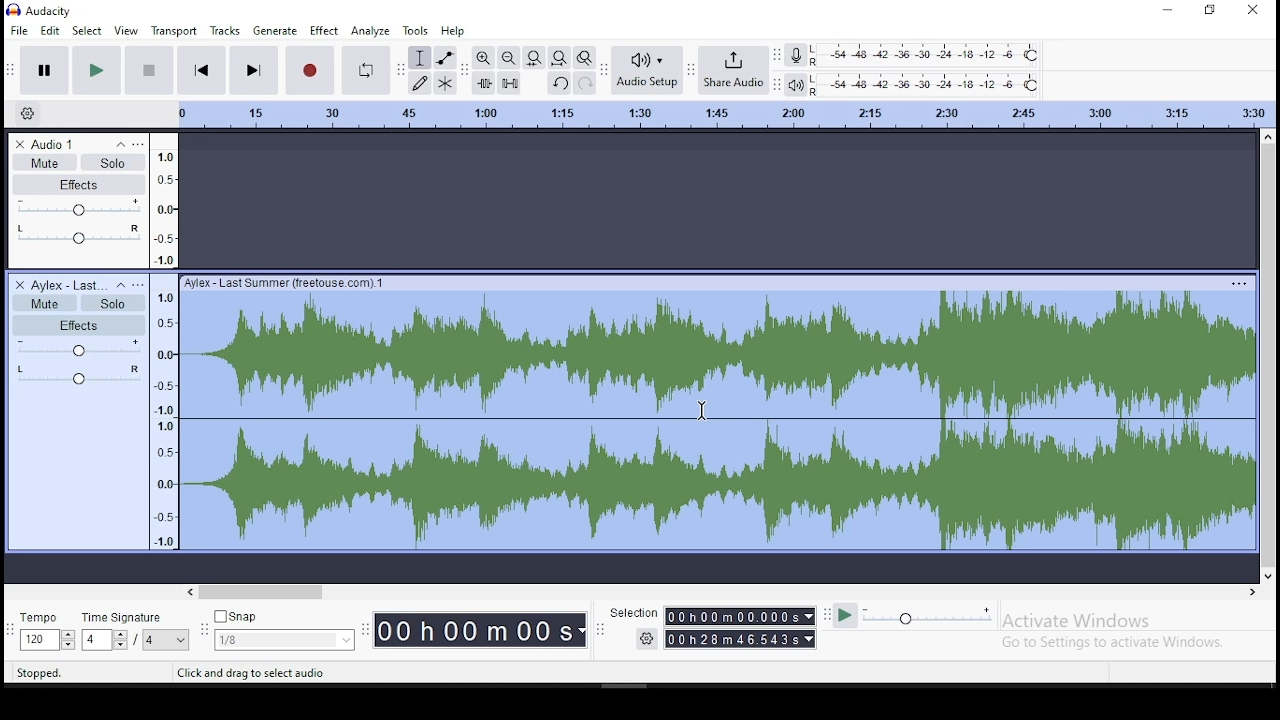 This screenshot has width=1280, height=720. Describe the element at coordinates (85, 30) in the screenshot. I see `select` at that location.